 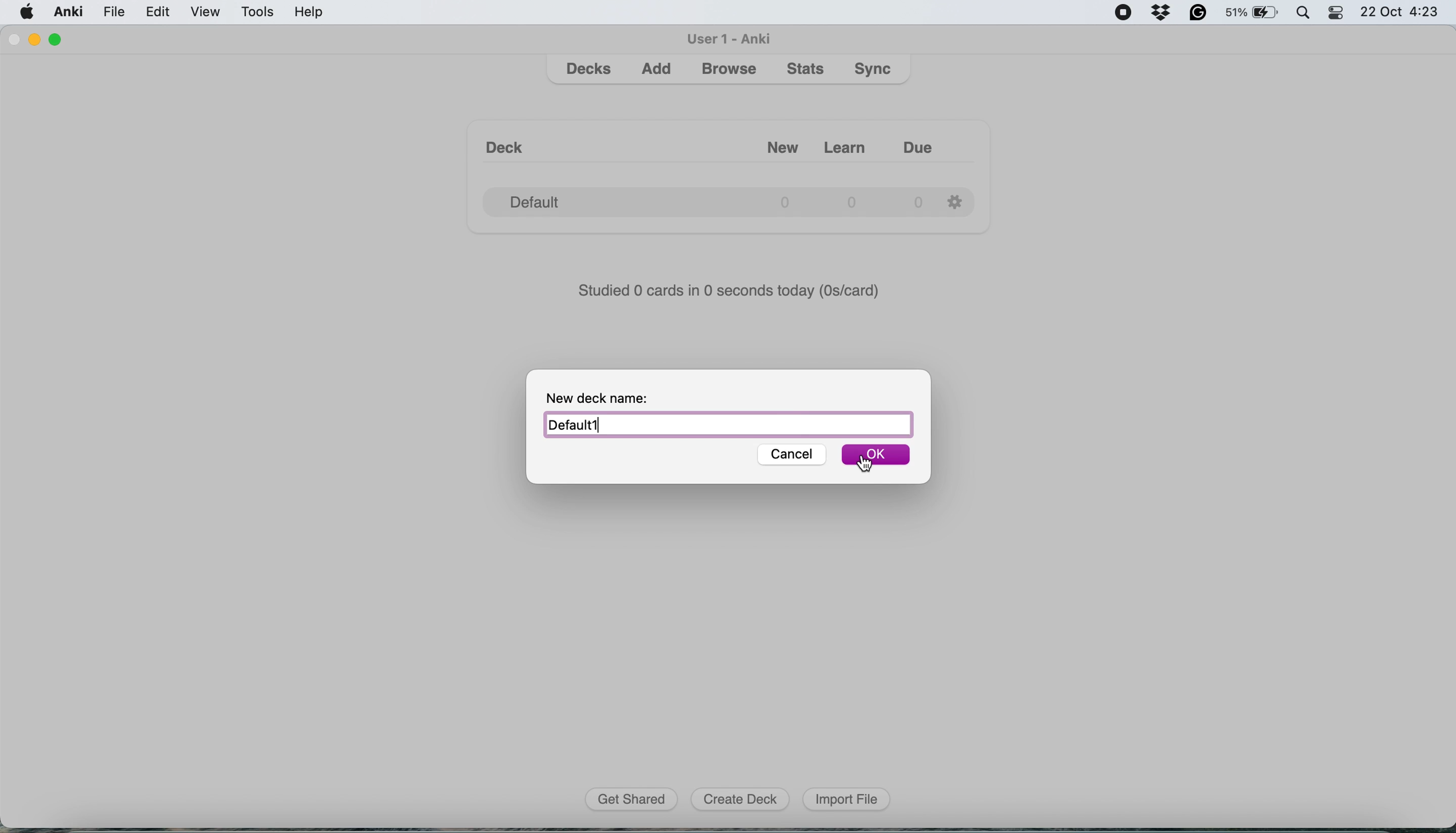 What do you see at coordinates (209, 13) in the screenshot?
I see `view` at bounding box center [209, 13].